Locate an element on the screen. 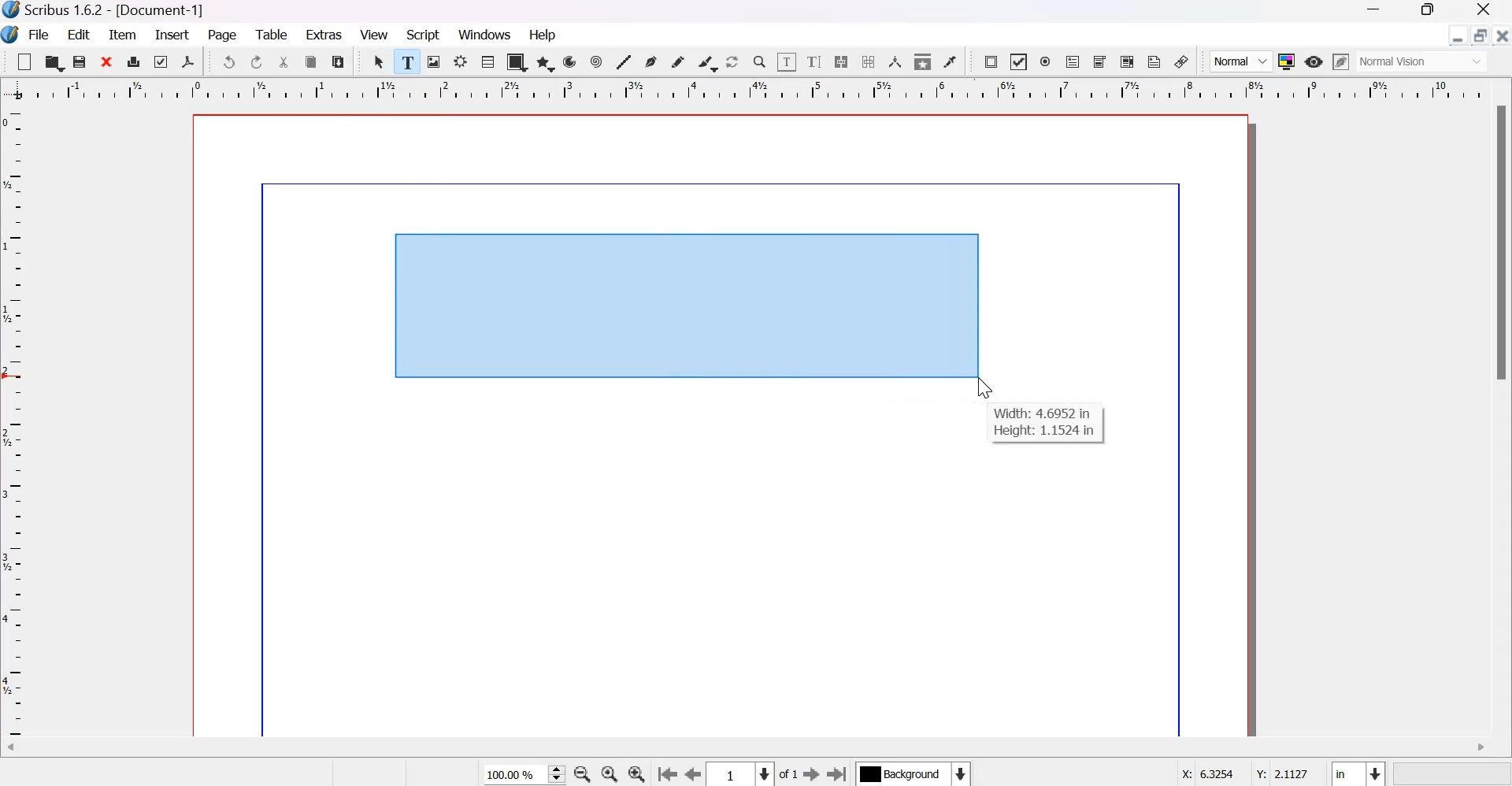   is located at coordinates (639, 775).